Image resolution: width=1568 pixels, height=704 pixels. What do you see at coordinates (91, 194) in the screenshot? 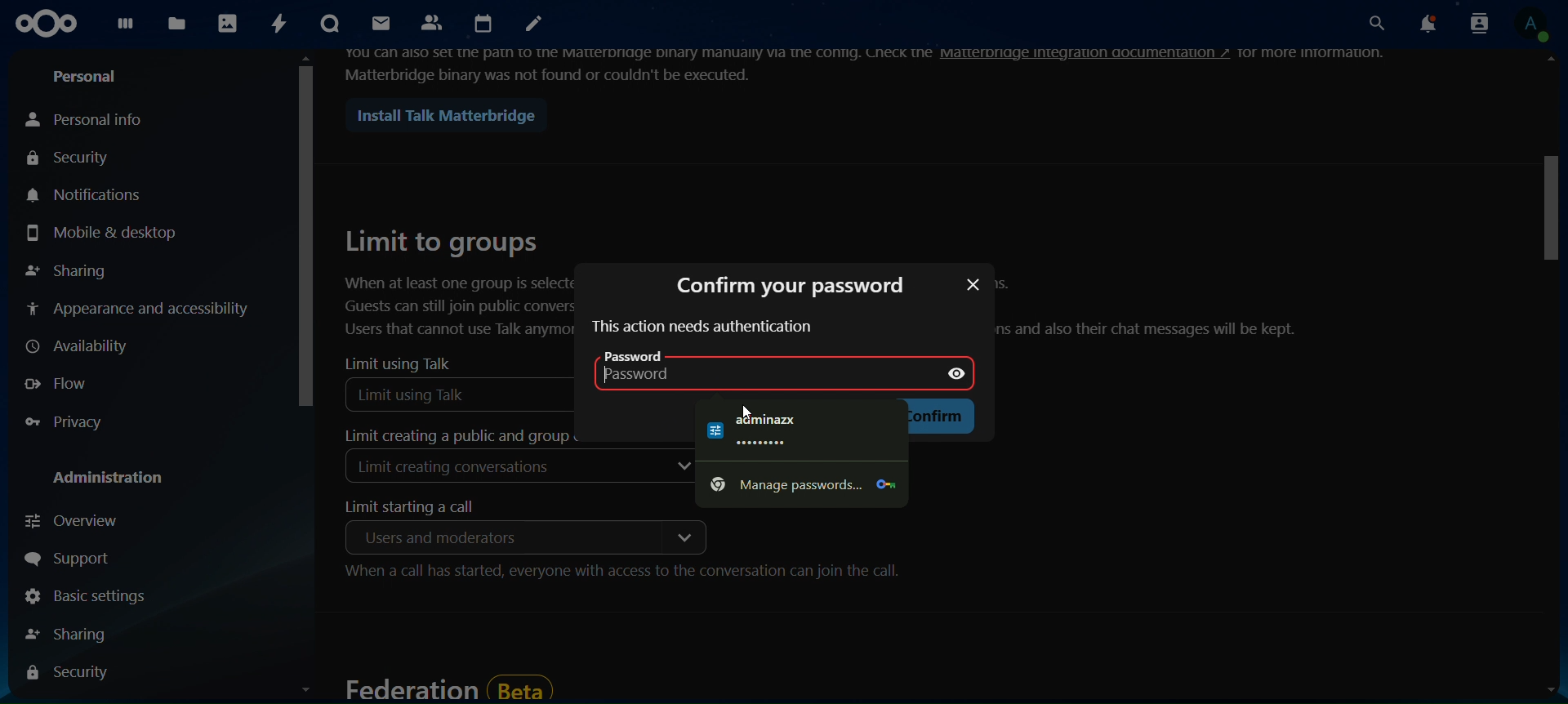
I see `notifications` at bounding box center [91, 194].